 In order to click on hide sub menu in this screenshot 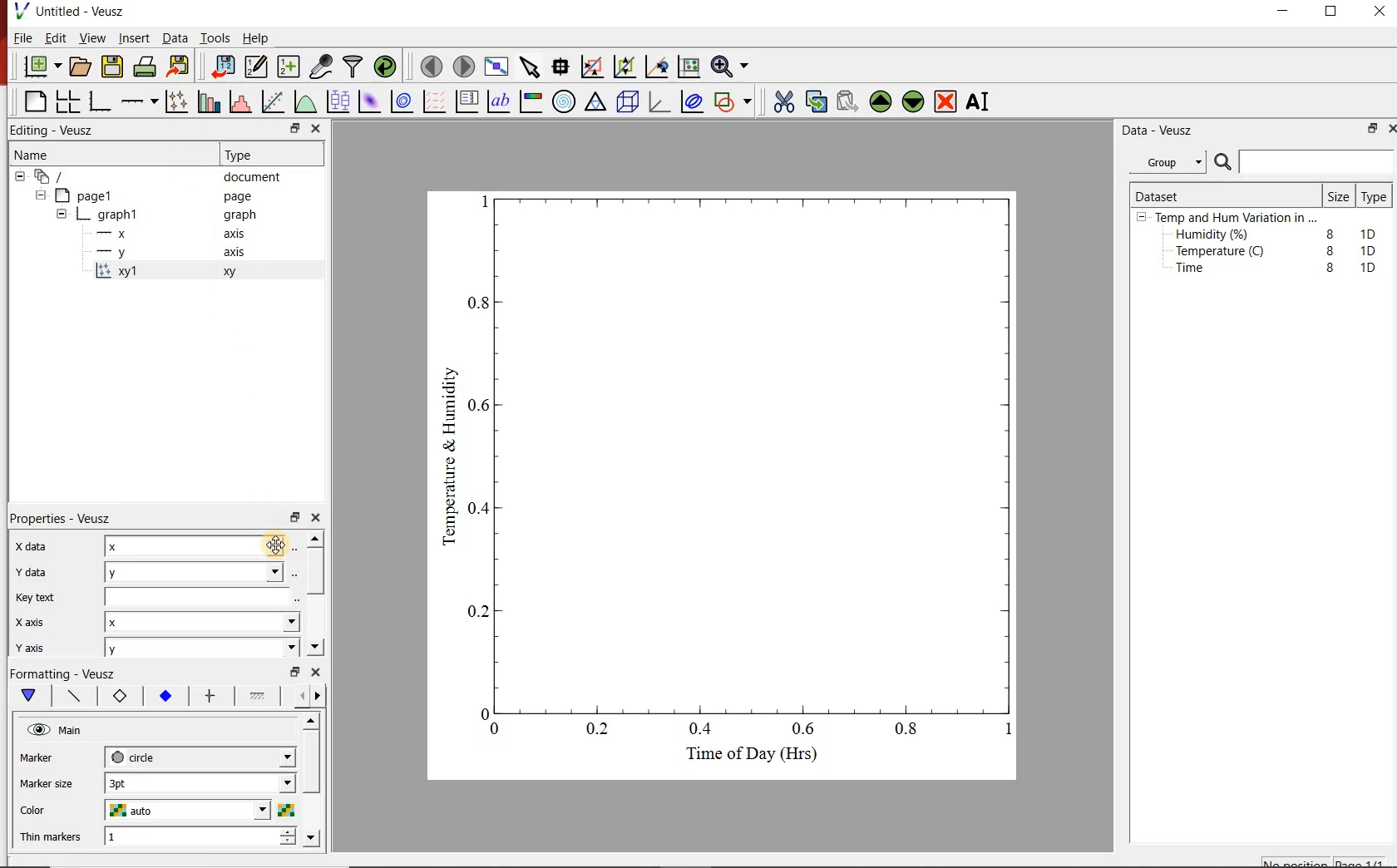, I will do `click(62, 213)`.